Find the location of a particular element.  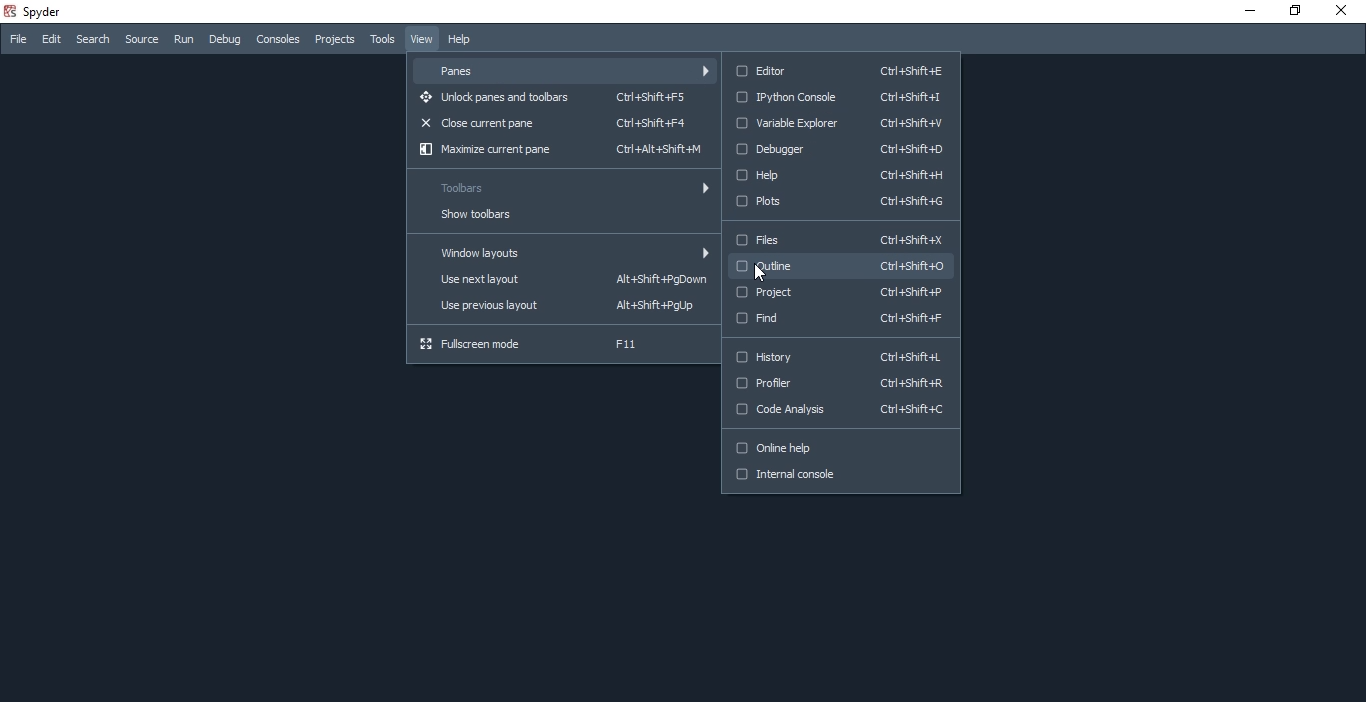

Project is located at coordinates (840, 294).